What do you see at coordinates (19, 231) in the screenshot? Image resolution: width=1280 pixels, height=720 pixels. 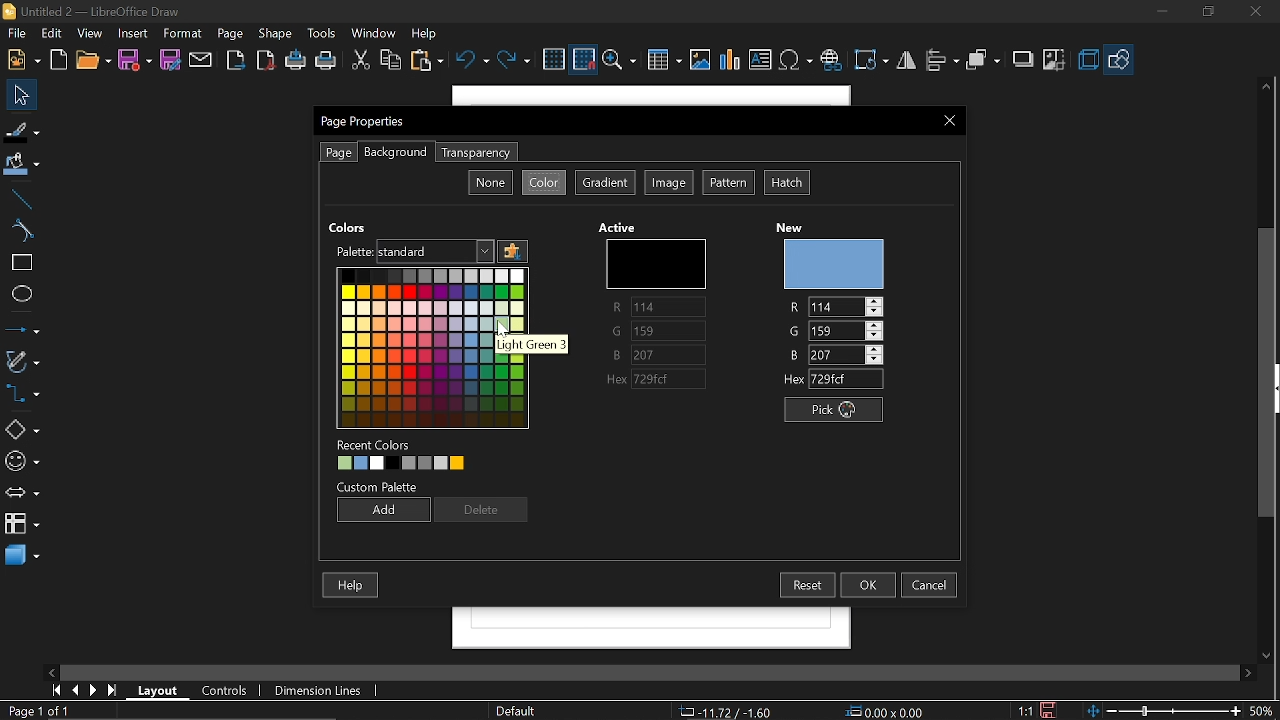 I see `Curve` at bounding box center [19, 231].